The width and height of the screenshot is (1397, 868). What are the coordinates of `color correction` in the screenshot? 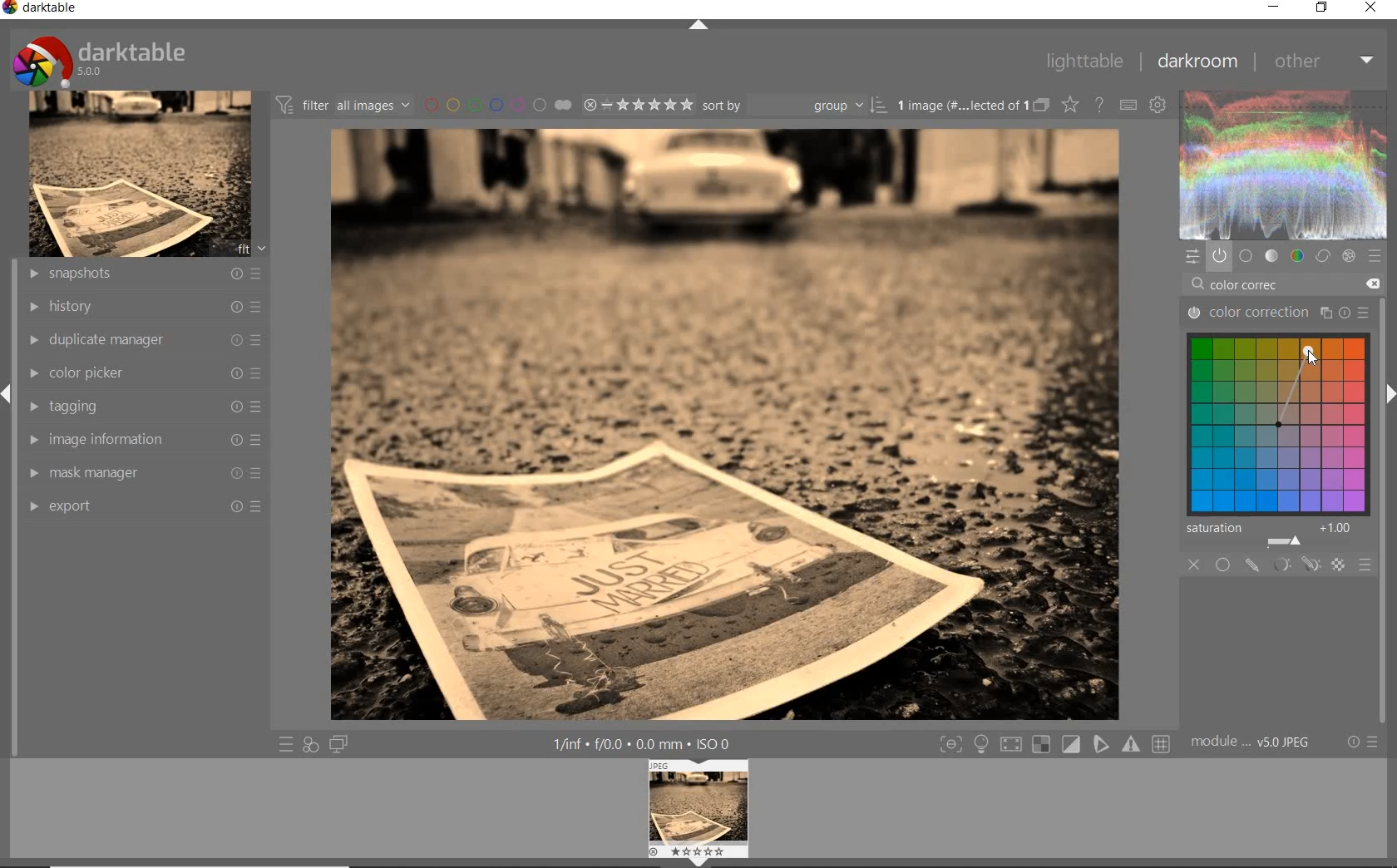 It's located at (1278, 314).